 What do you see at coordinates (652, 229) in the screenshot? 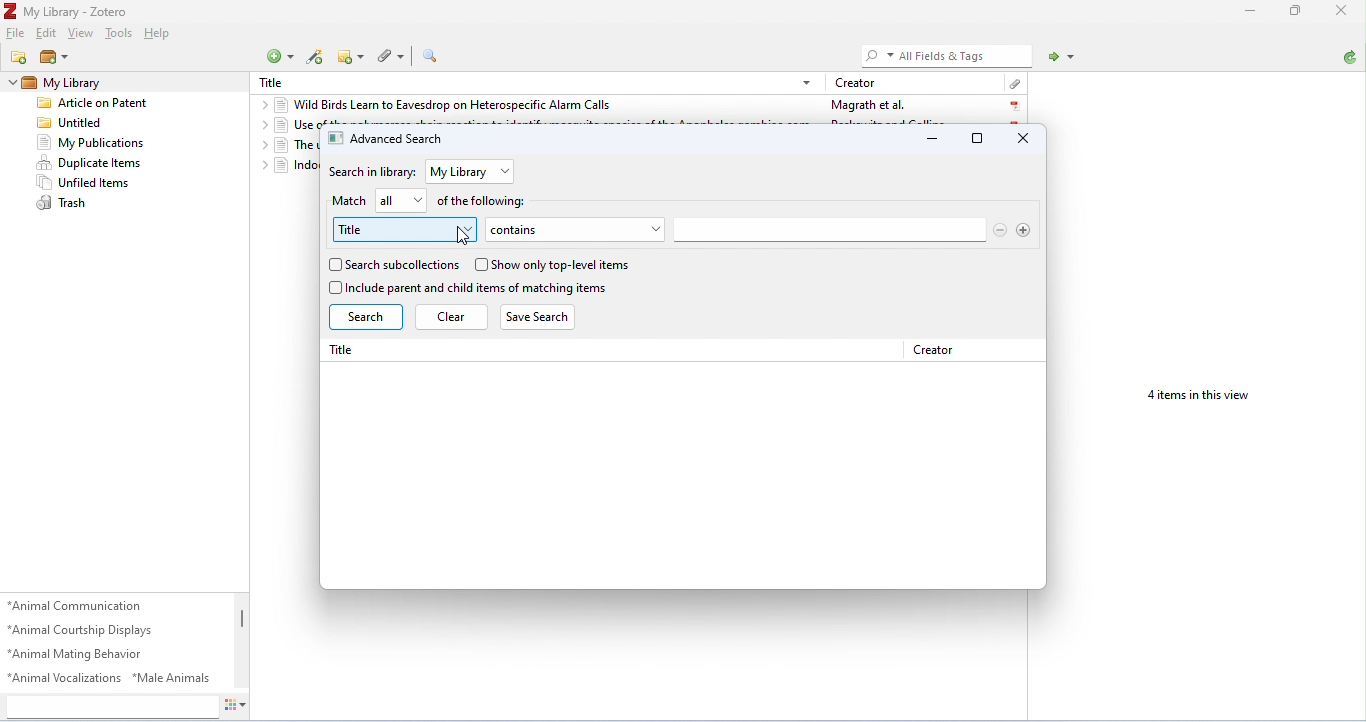
I see `drop-down` at bounding box center [652, 229].